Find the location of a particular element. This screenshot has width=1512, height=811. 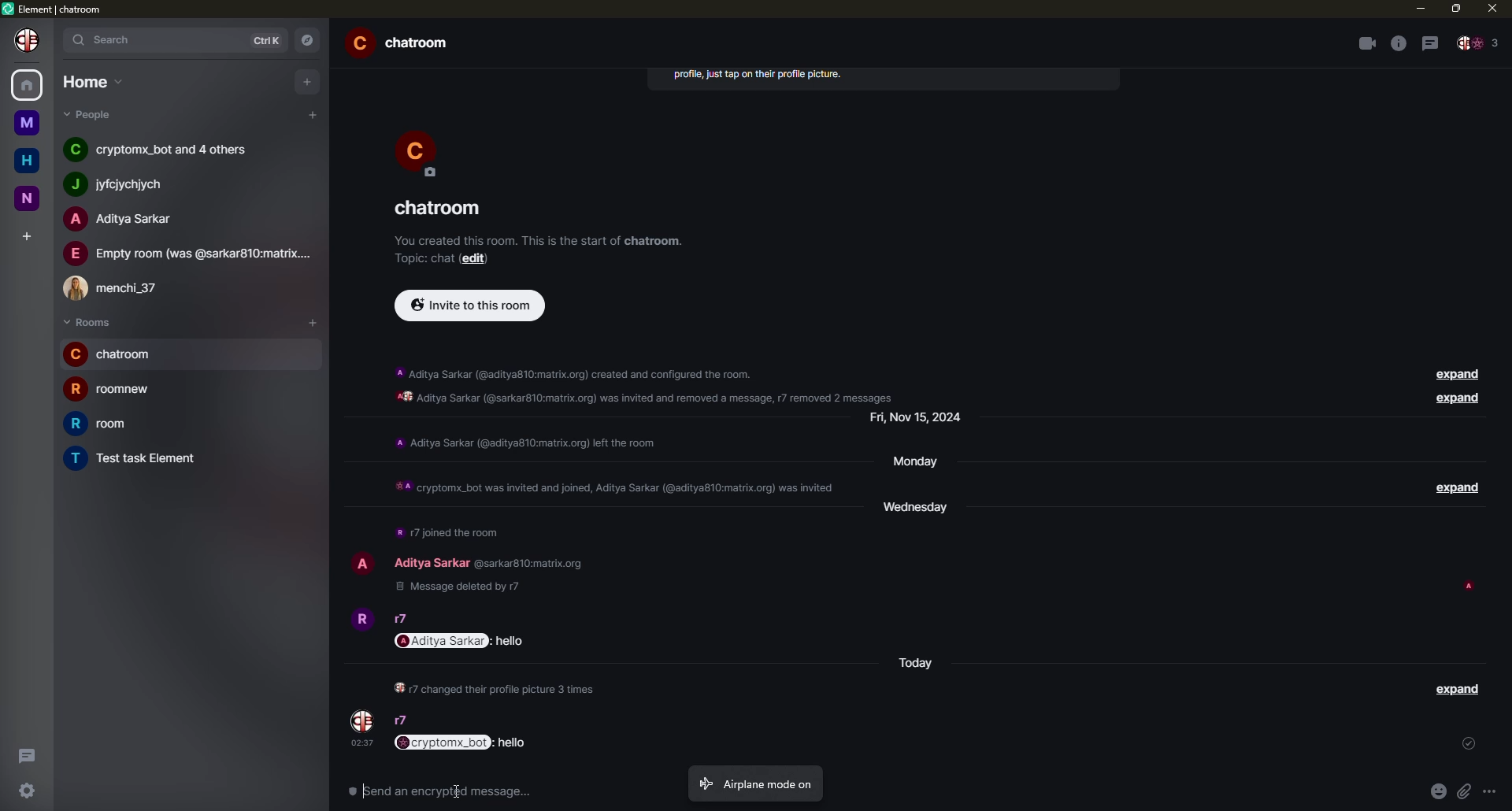

invite to this room is located at coordinates (469, 306).